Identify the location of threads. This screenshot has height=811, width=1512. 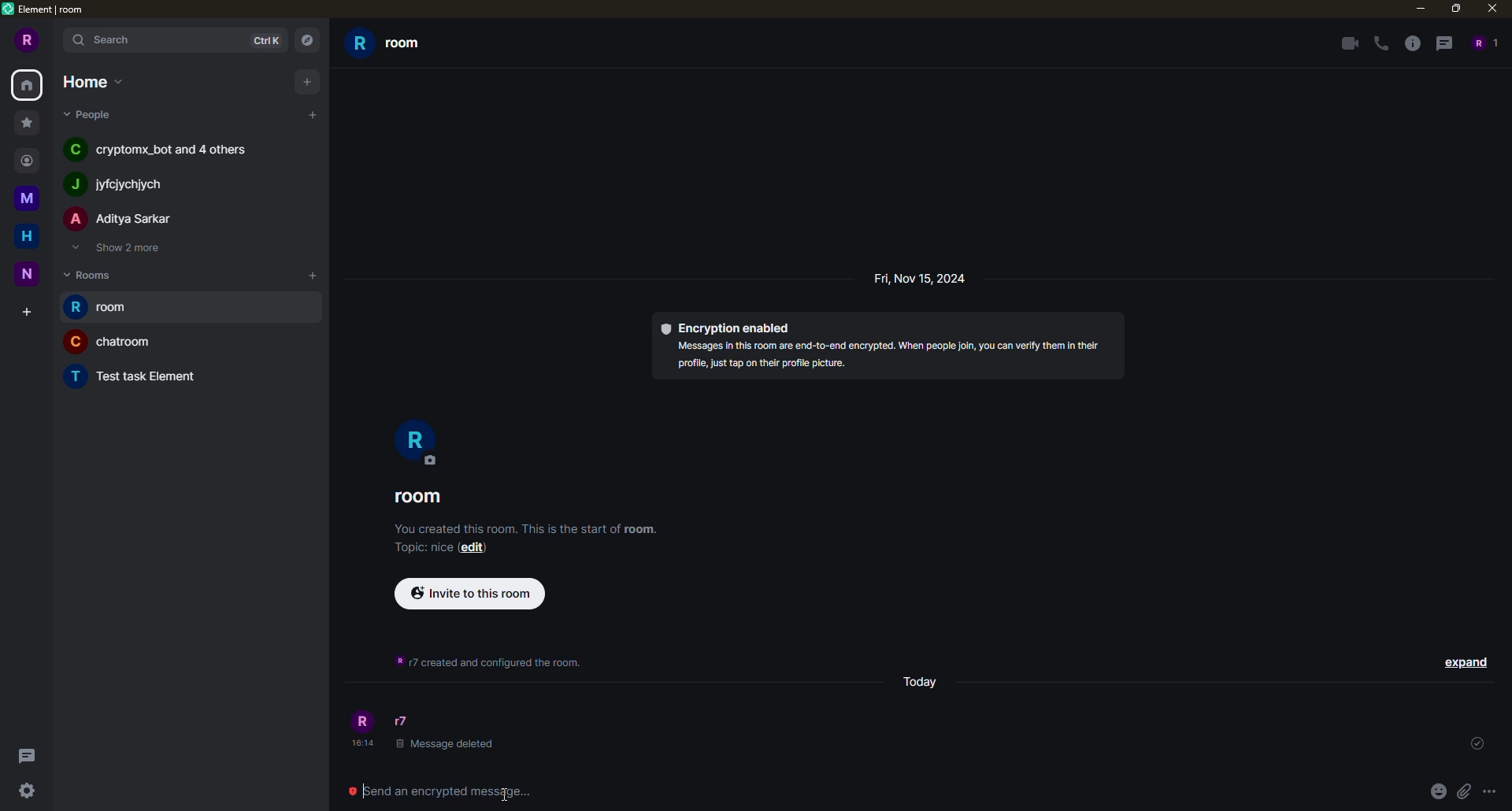
(1443, 43).